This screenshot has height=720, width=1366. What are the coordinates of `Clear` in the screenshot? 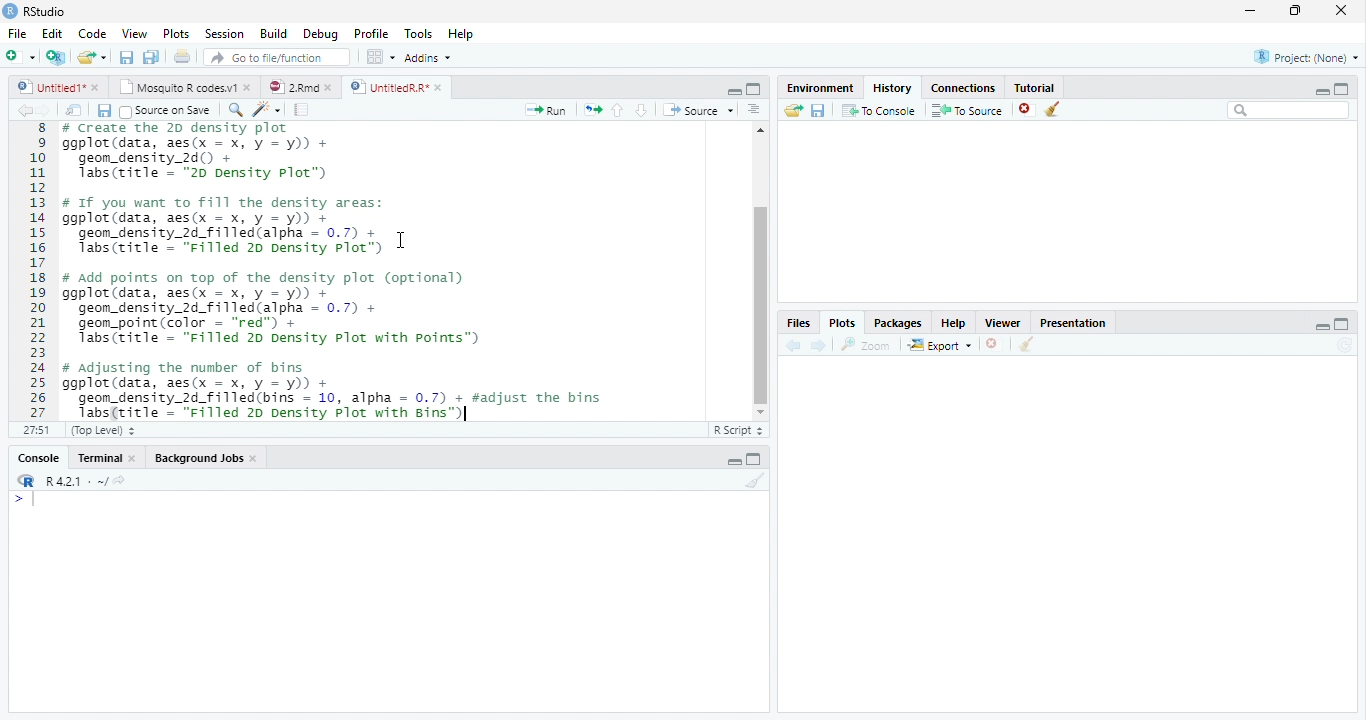 It's located at (756, 480).